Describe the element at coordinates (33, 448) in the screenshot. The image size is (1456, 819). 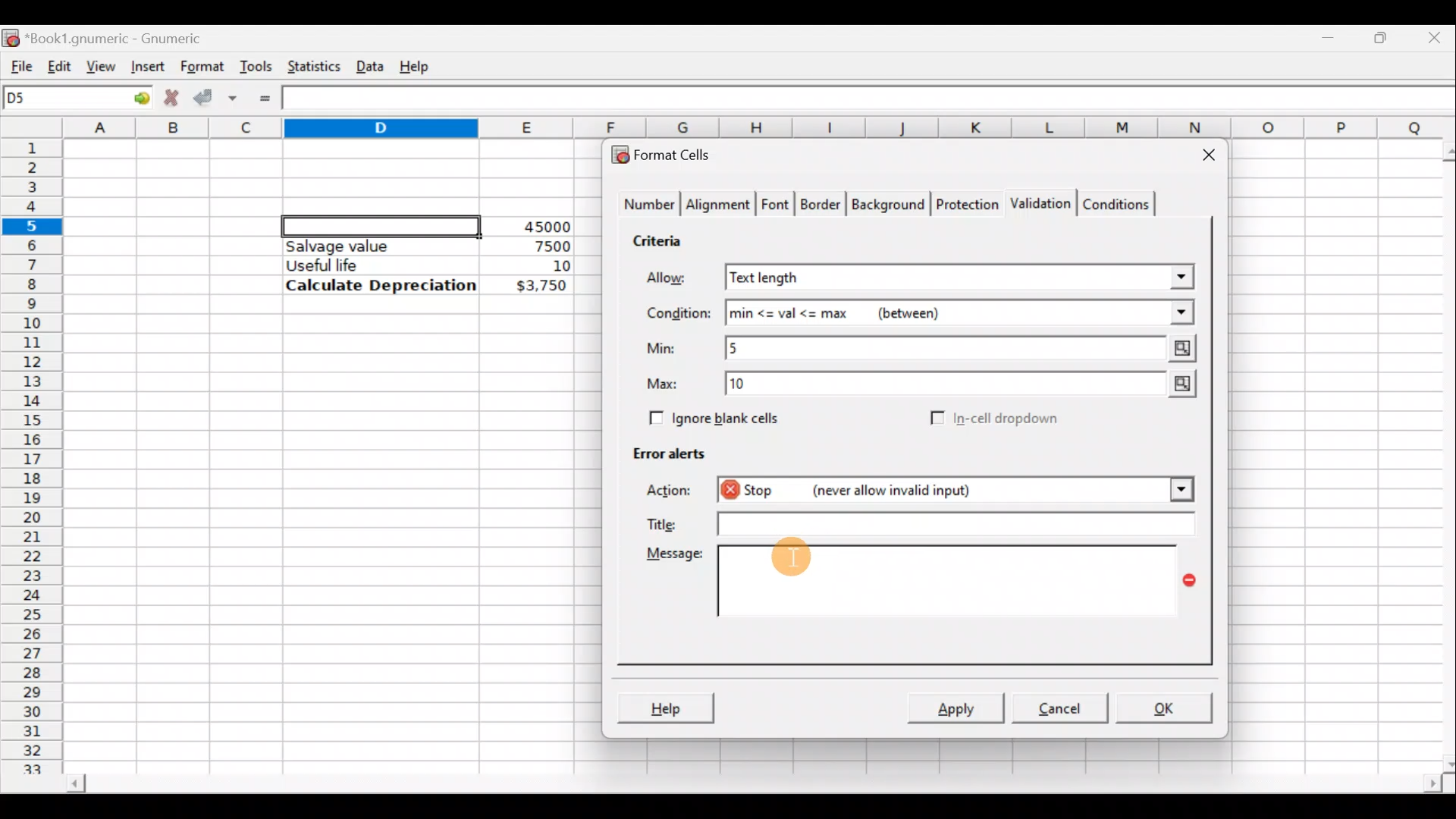
I see `Rows` at that location.